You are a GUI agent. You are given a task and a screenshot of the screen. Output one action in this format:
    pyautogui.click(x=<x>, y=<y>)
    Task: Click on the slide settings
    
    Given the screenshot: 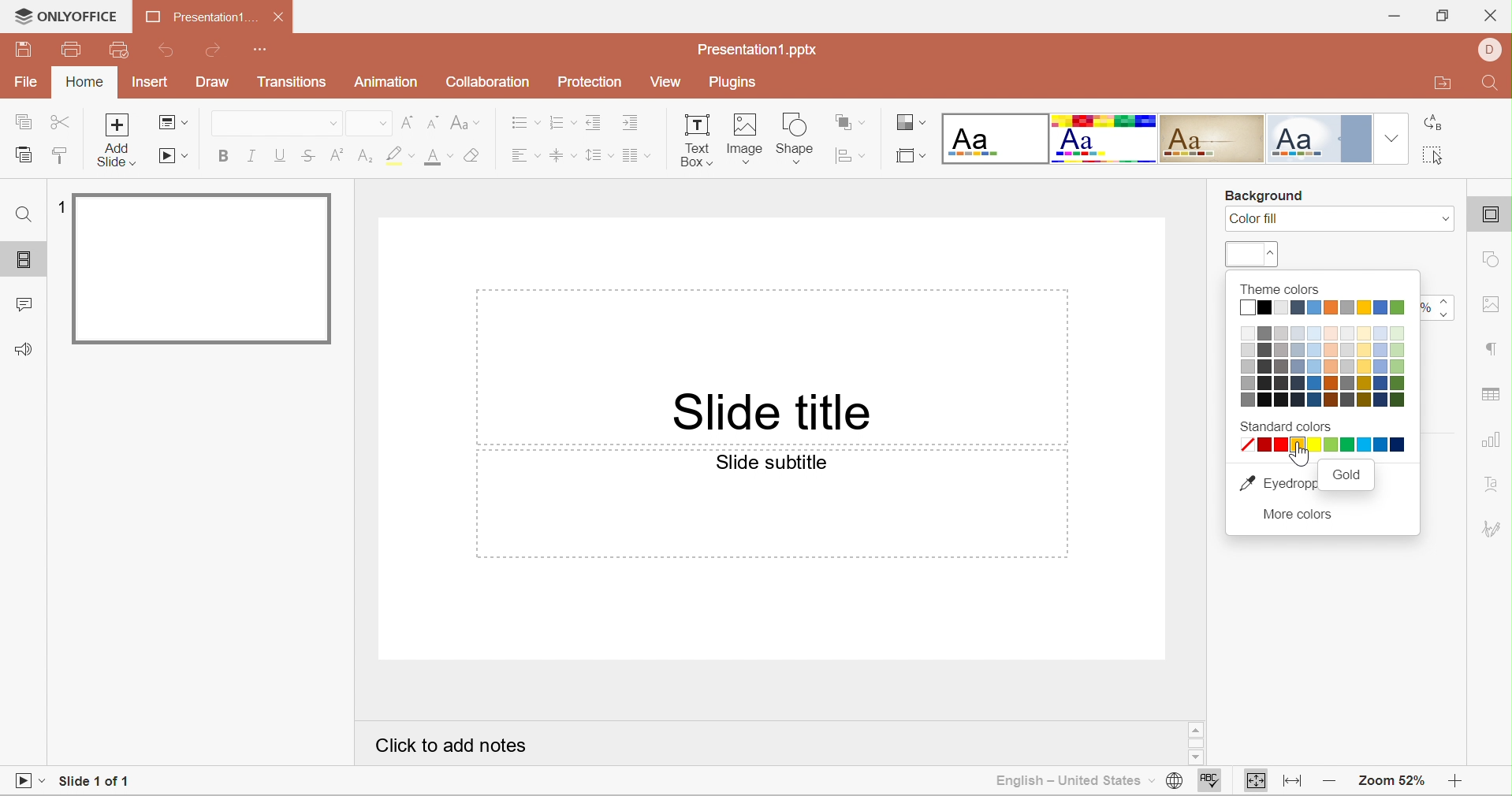 What is the action you would take?
    pyautogui.click(x=1494, y=218)
    